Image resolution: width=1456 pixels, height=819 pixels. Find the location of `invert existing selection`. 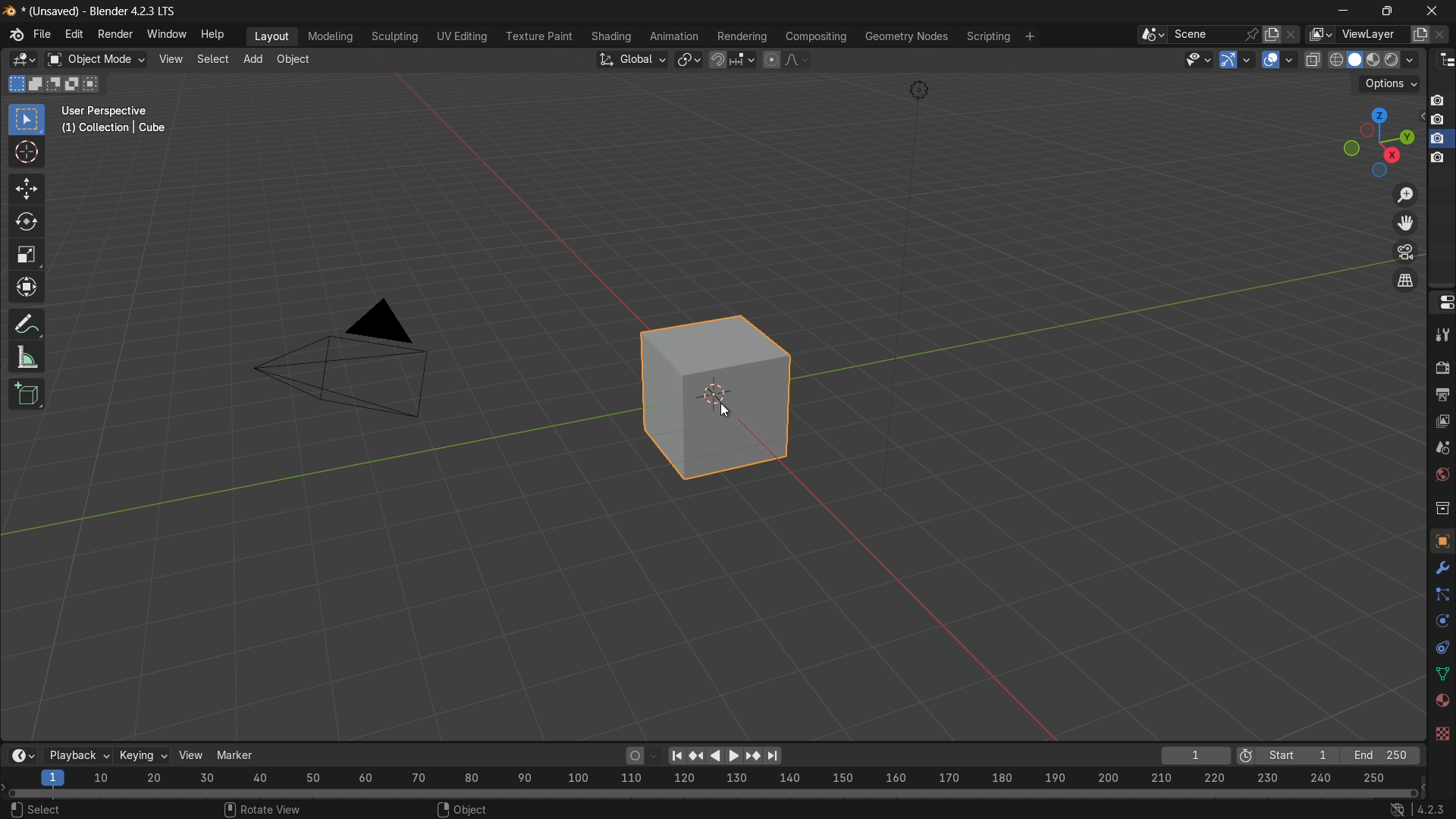

invert existing selection is located at coordinates (74, 83).